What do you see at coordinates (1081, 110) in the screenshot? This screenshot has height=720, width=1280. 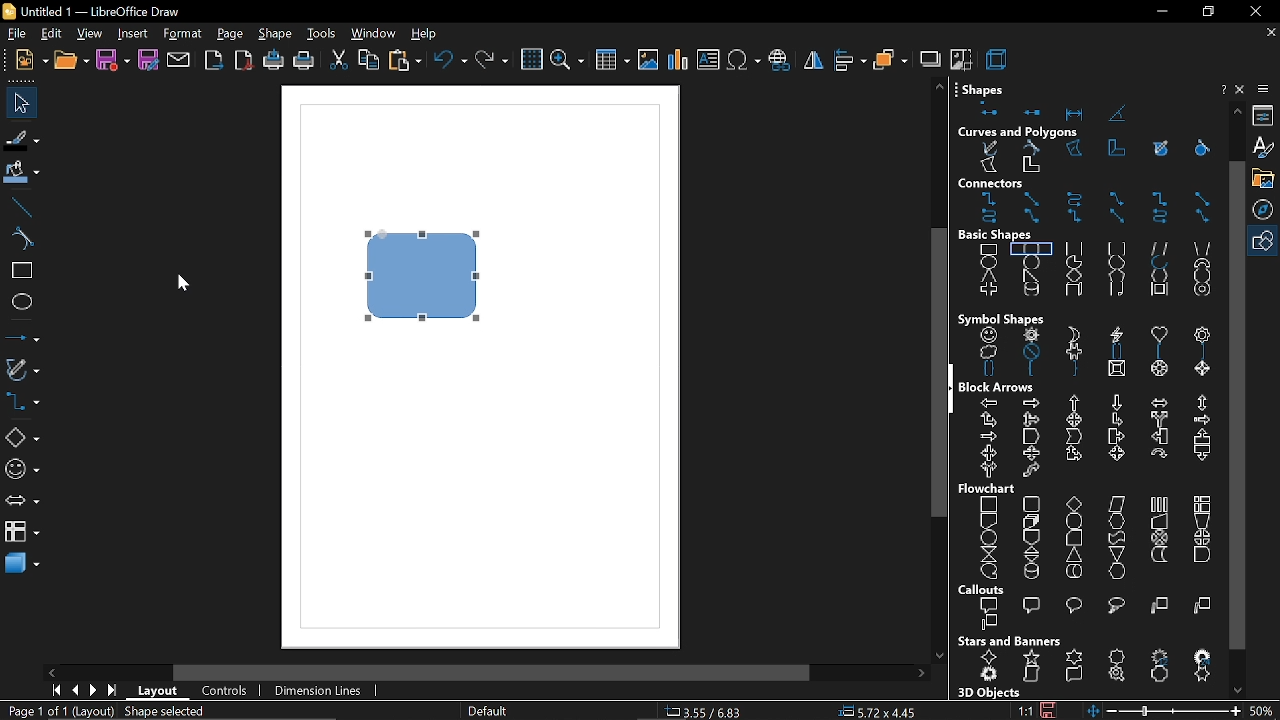 I see `shapes` at bounding box center [1081, 110].